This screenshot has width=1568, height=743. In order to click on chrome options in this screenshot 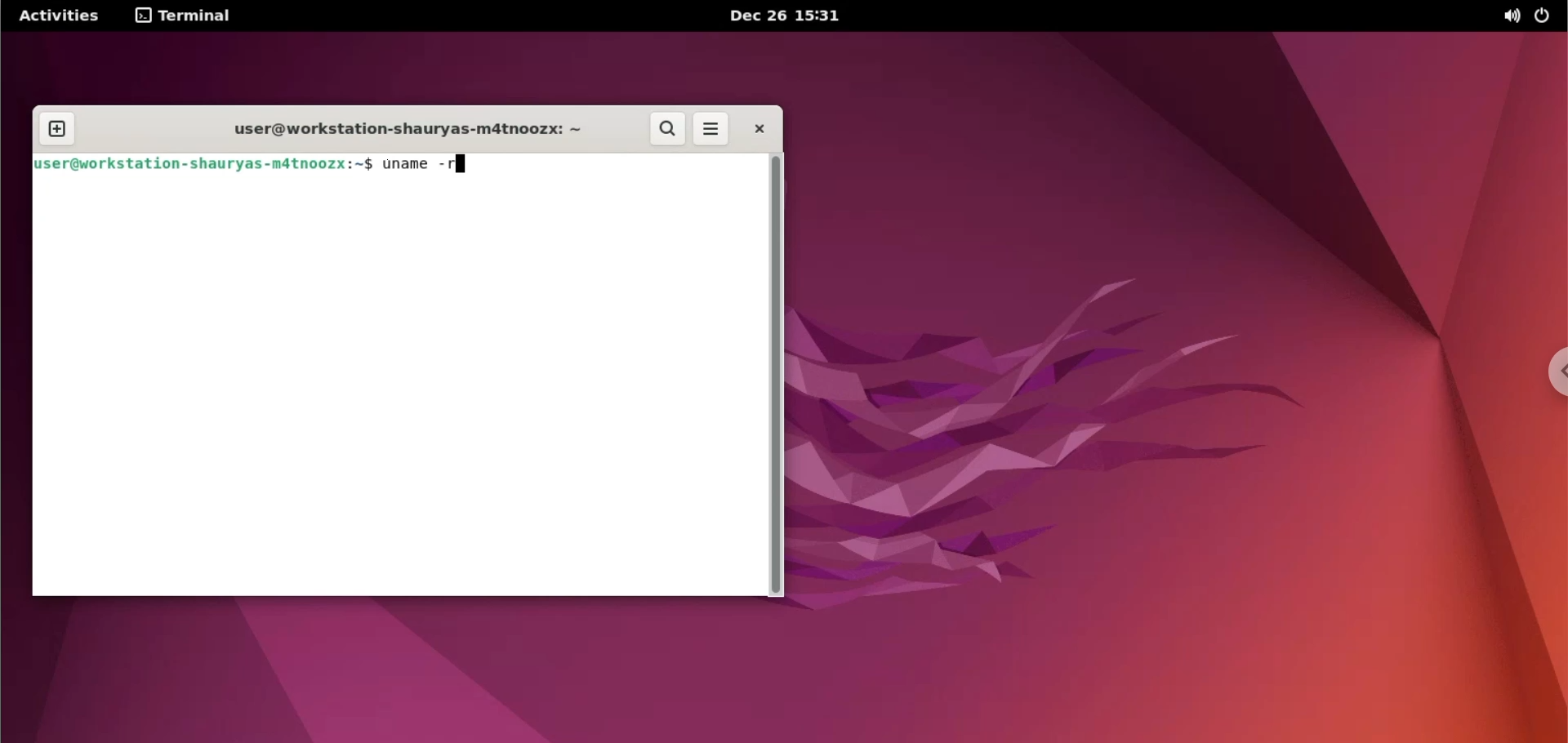, I will do `click(1553, 370)`.